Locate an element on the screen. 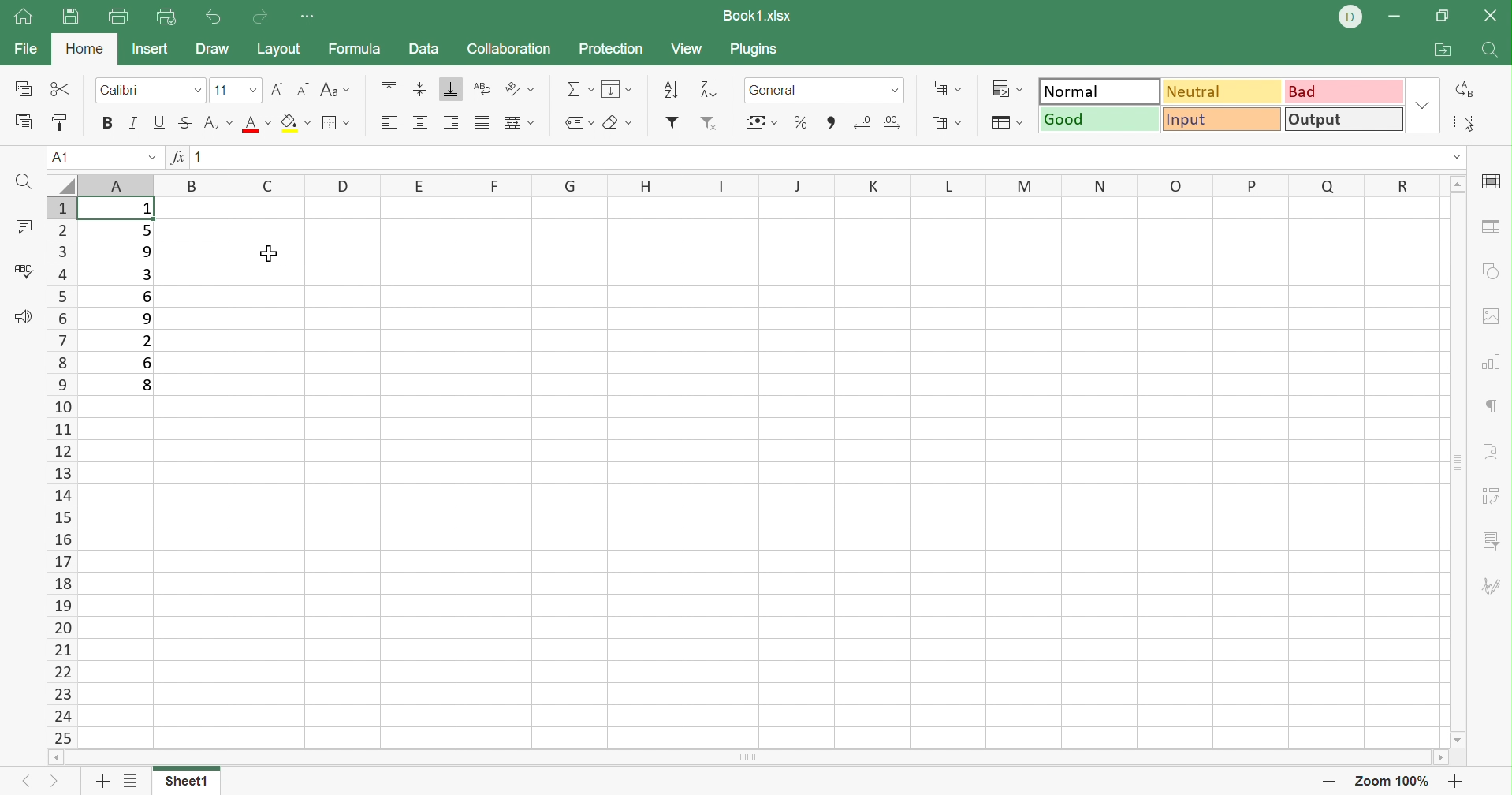 The height and width of the screenshot is (795, 1512). Font color is located at coordinates (258, 127).